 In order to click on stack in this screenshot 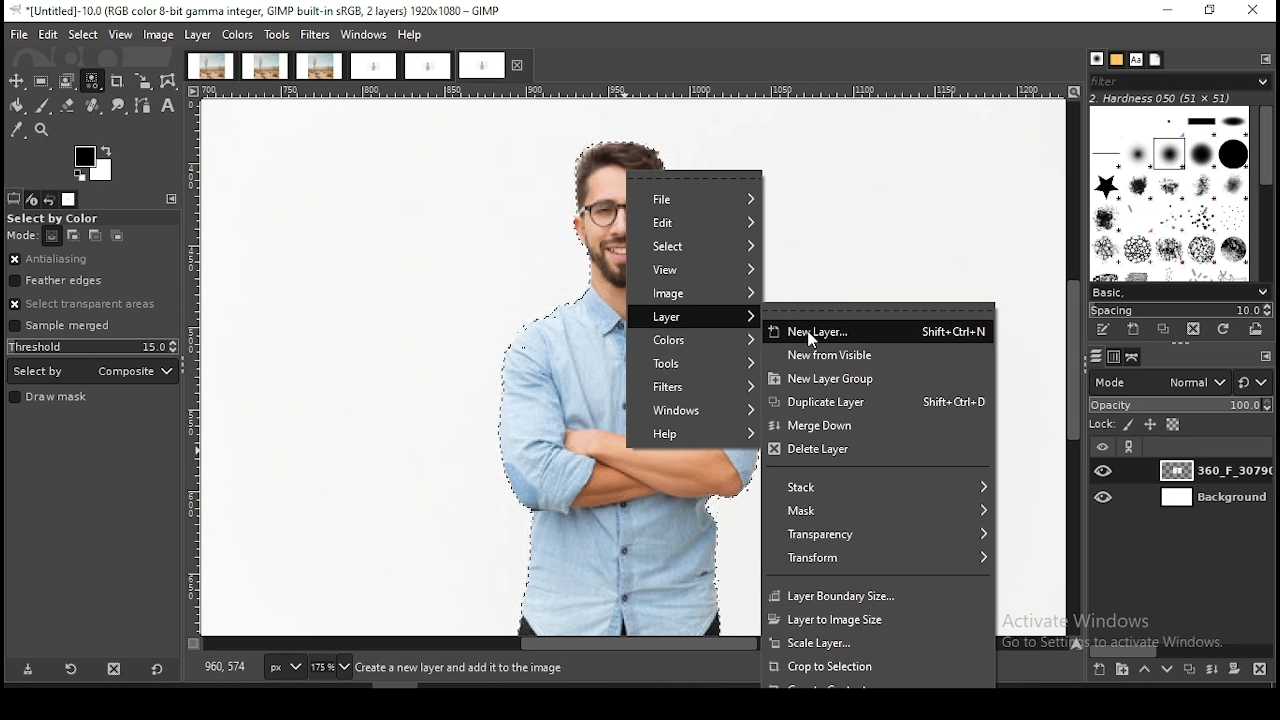, I will do `click(878, 485)`.